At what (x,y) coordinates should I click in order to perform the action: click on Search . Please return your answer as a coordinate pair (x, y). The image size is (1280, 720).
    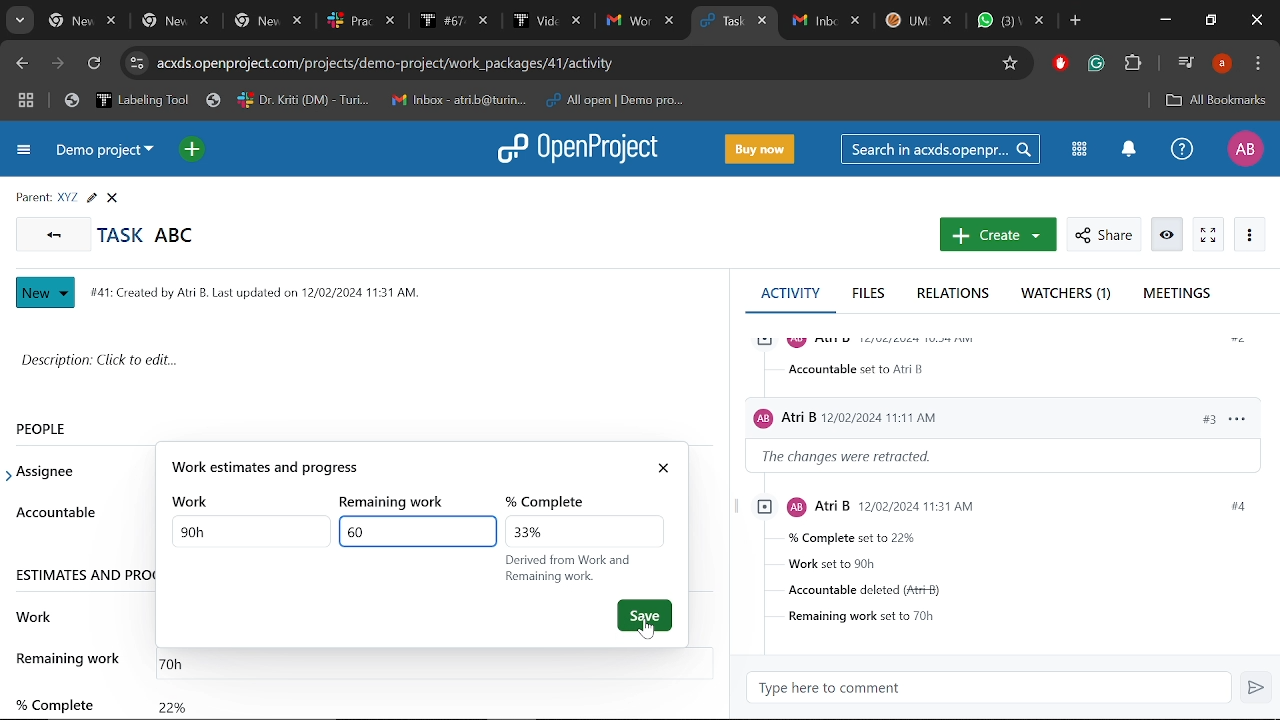
    Looking at the image, I should click on (943, 149).